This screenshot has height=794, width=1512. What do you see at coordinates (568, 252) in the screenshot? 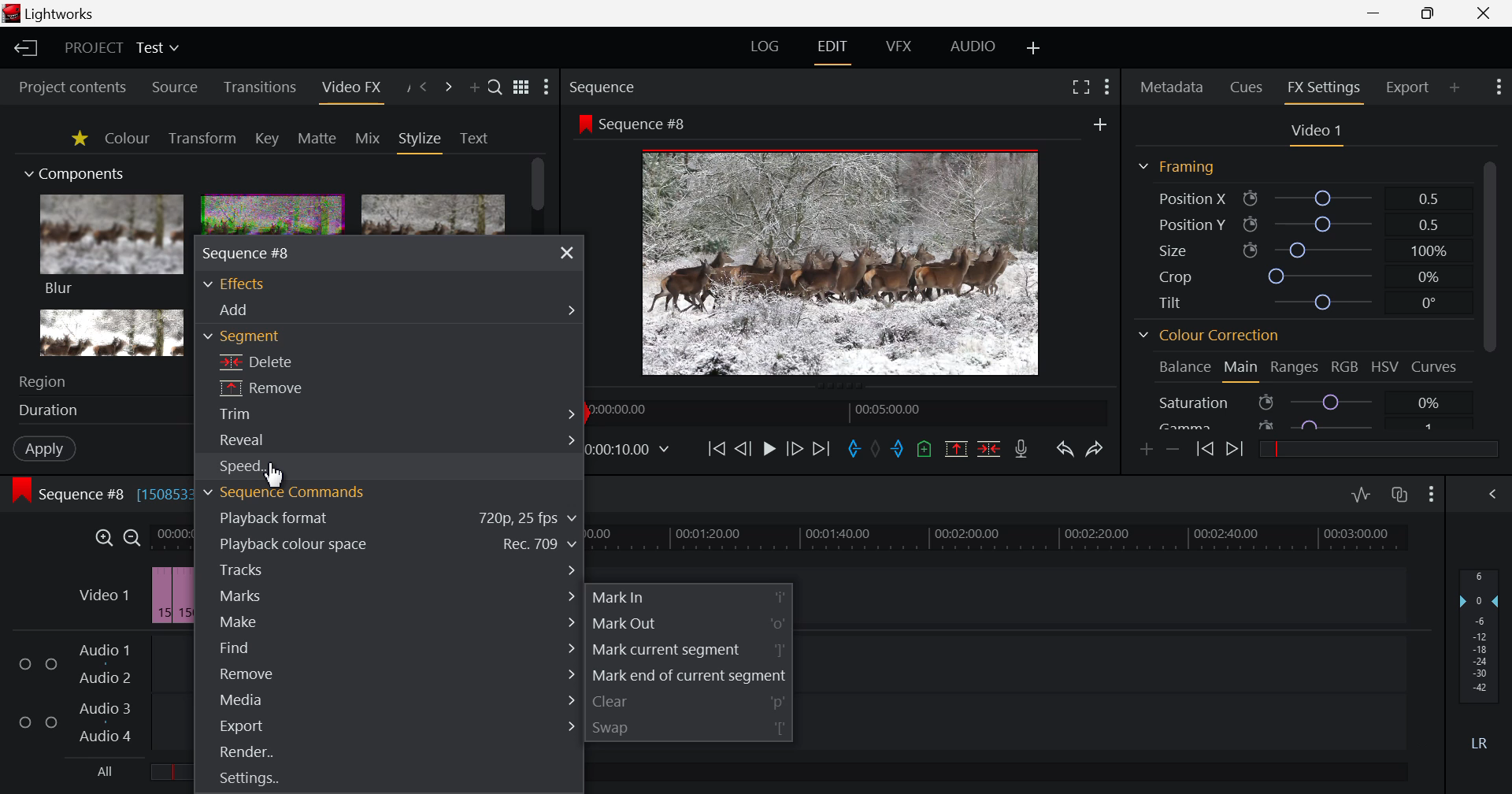
I see `Close` at bounding box center [568, 252].